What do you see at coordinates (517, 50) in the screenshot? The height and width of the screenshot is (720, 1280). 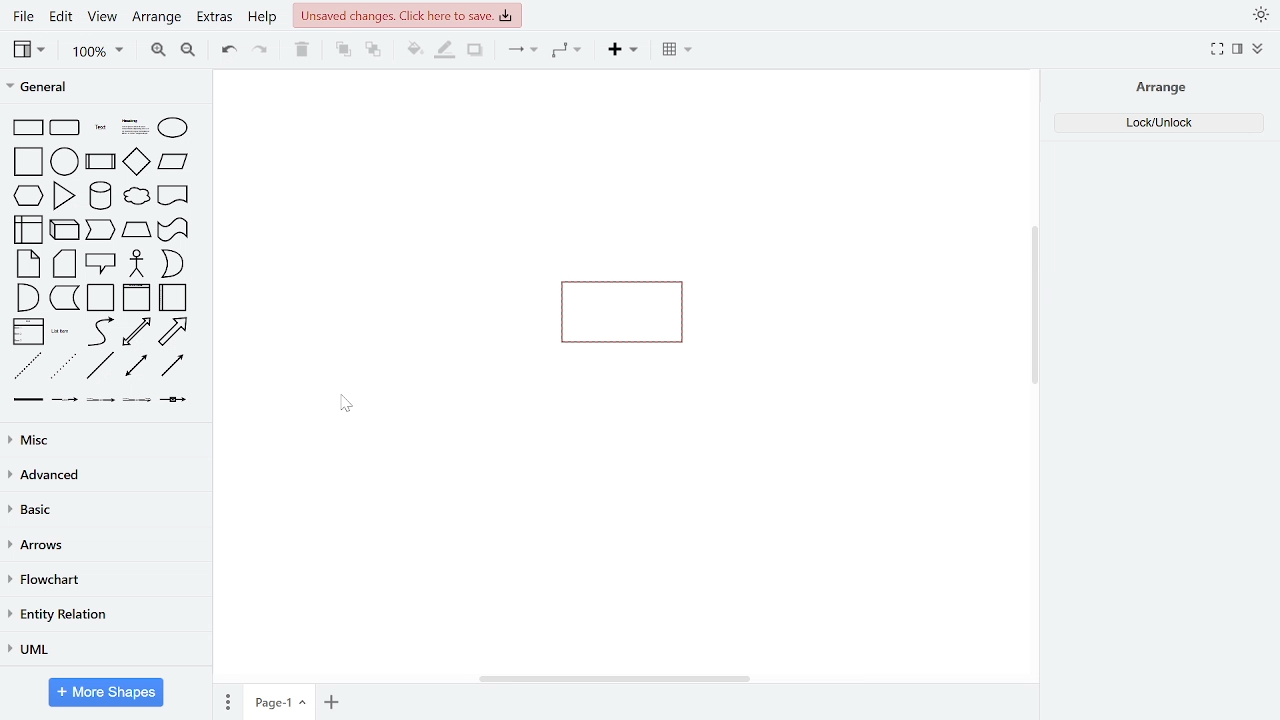 I see `connector` at bounding box center [517, 50].